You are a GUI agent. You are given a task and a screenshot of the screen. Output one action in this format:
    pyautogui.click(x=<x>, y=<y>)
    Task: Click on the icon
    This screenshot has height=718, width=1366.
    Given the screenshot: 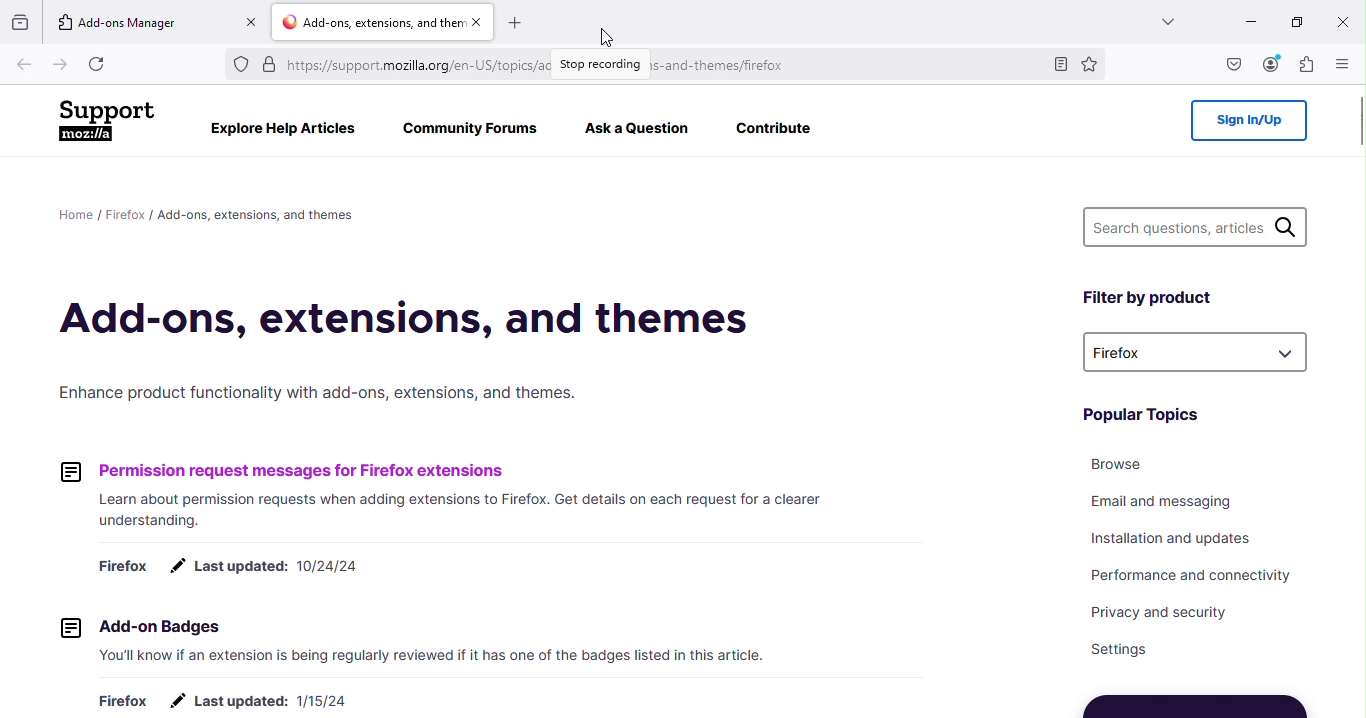 What is the action you would take?
    pyautogui.click(x=69, y=468)
    